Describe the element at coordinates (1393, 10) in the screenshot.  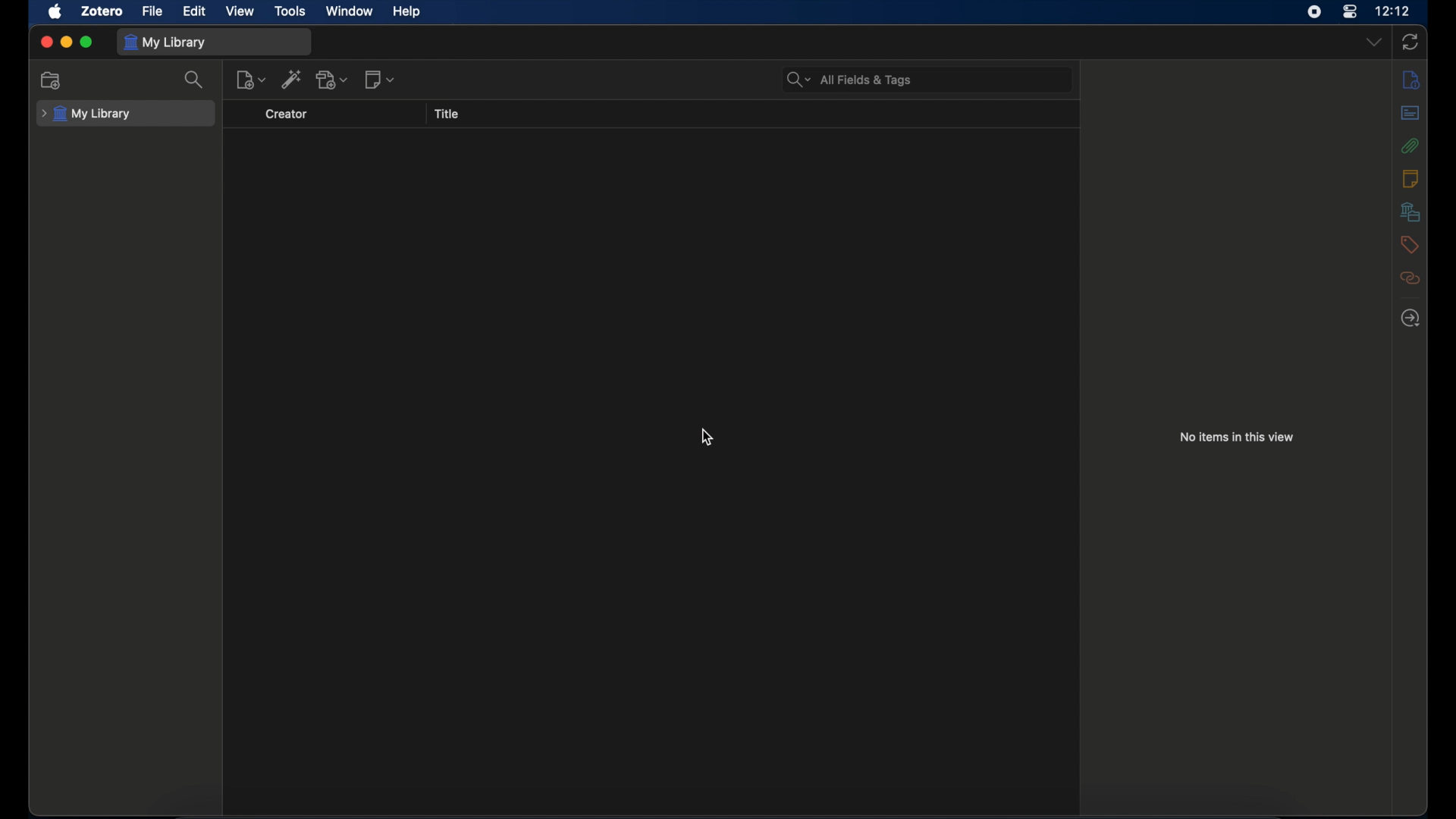
I see `time` at that location.